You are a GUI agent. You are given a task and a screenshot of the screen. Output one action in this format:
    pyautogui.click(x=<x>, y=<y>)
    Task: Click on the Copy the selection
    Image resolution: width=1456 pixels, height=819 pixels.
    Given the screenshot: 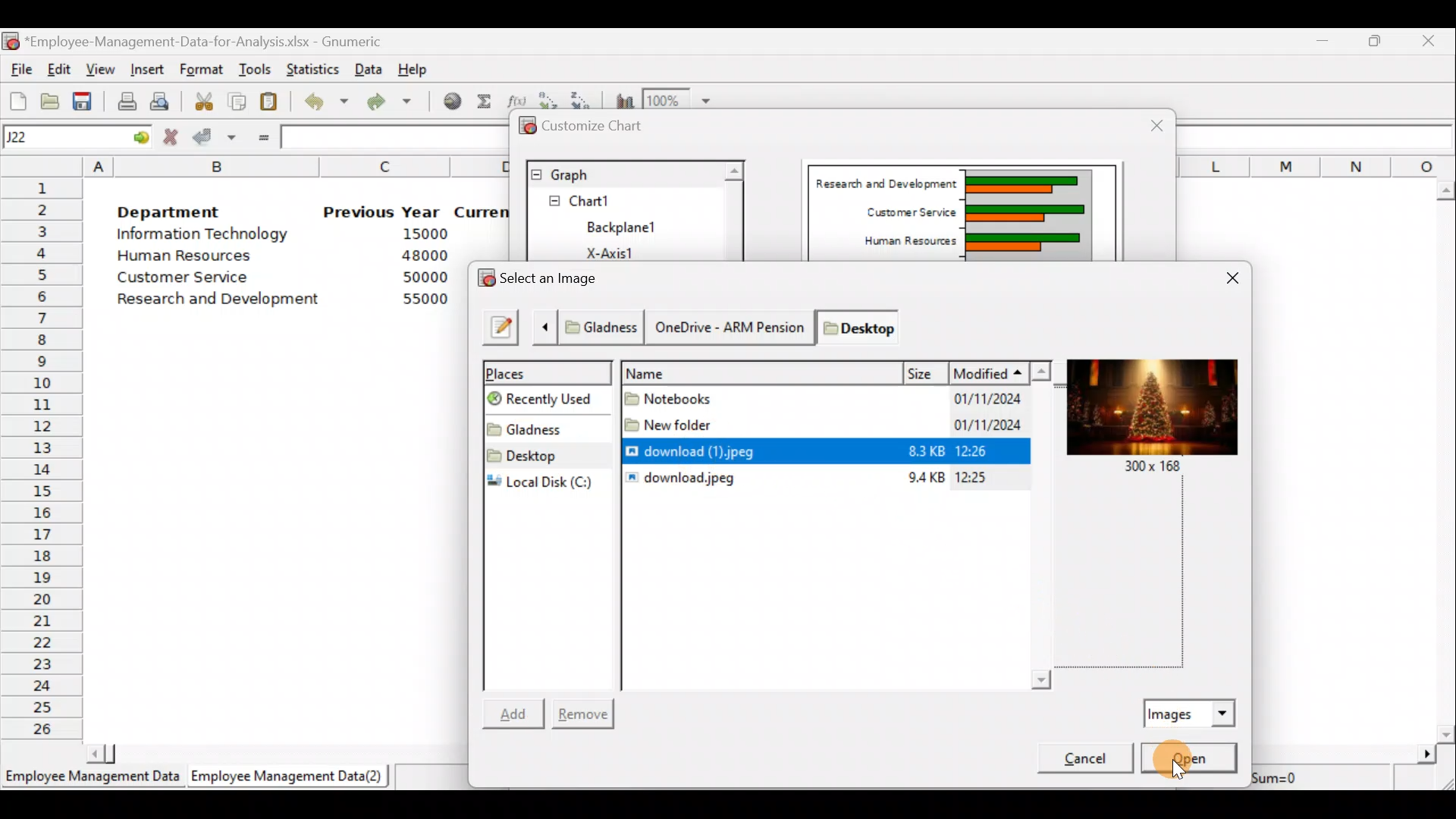 What is the action you would take?
    pyautogui.click(x=241, y=102)
    